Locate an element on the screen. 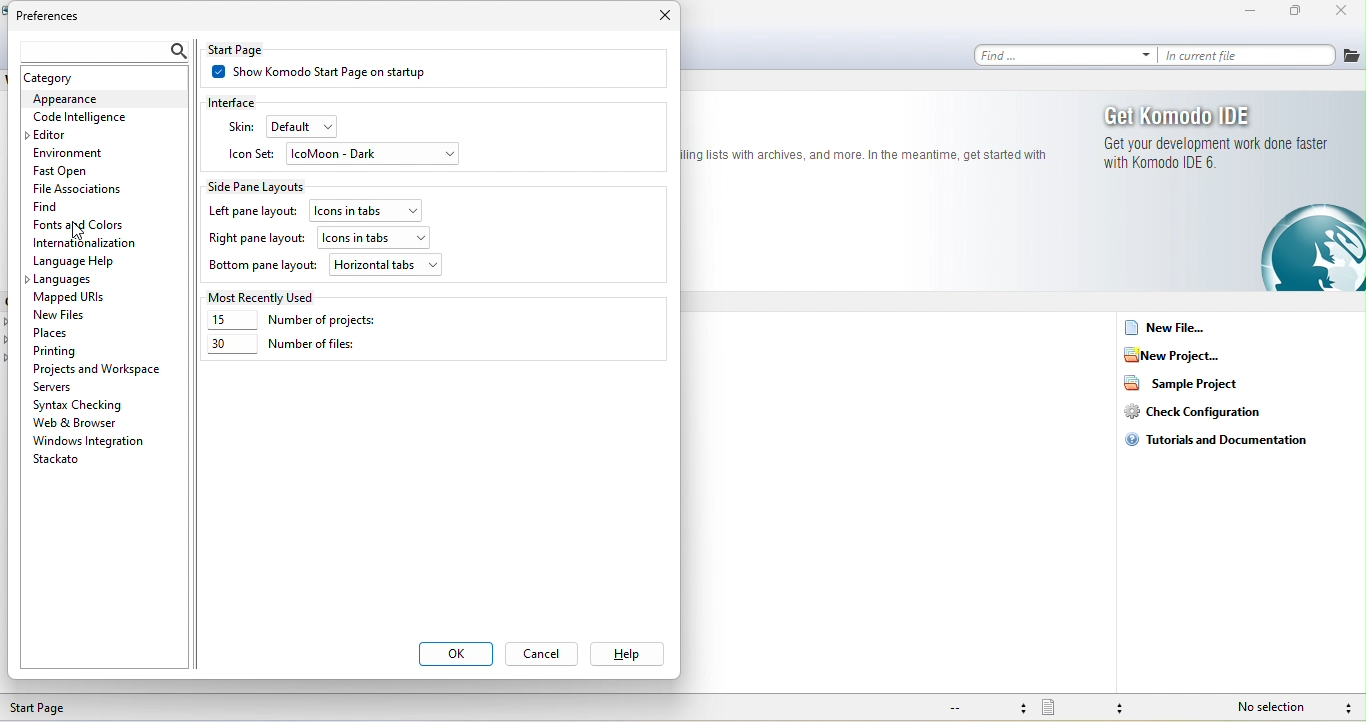 The height and width of the screenshot is (722, 1366). check configuration is located at coordinates (1202, 414).